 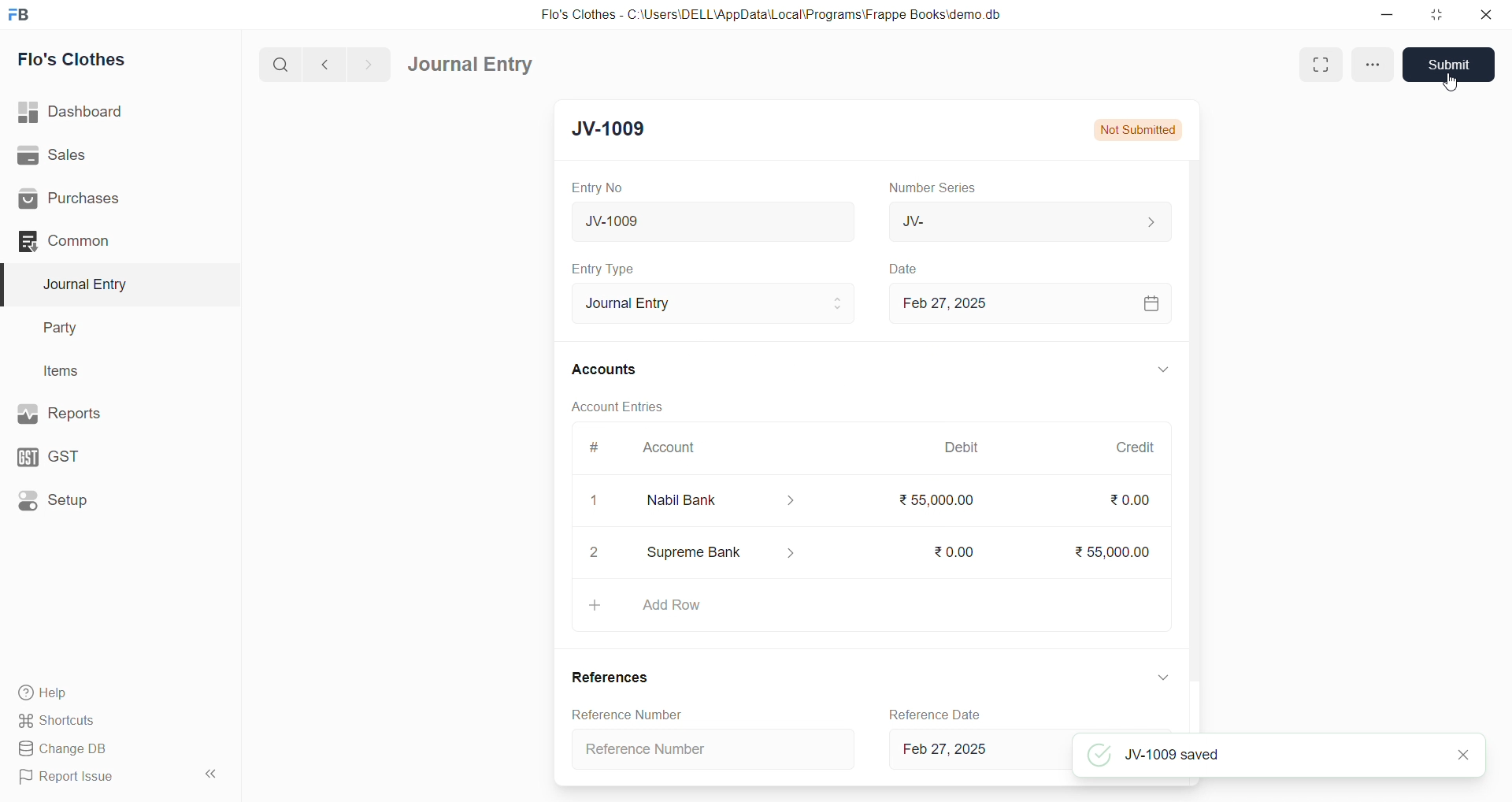 I want to click on Help, so click(x=98, y=694).